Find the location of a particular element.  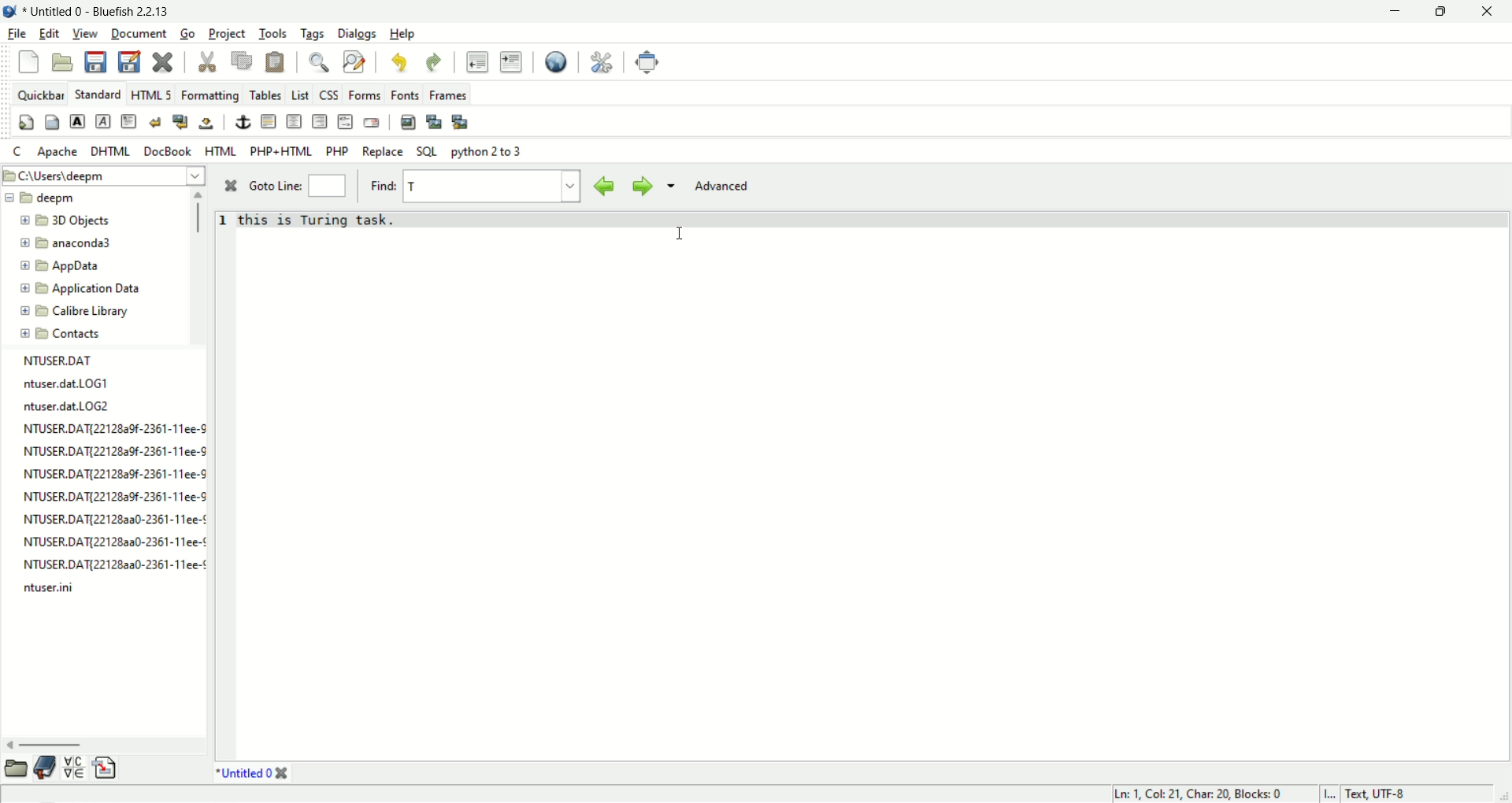

preferences is located at coordinates (602, 62).